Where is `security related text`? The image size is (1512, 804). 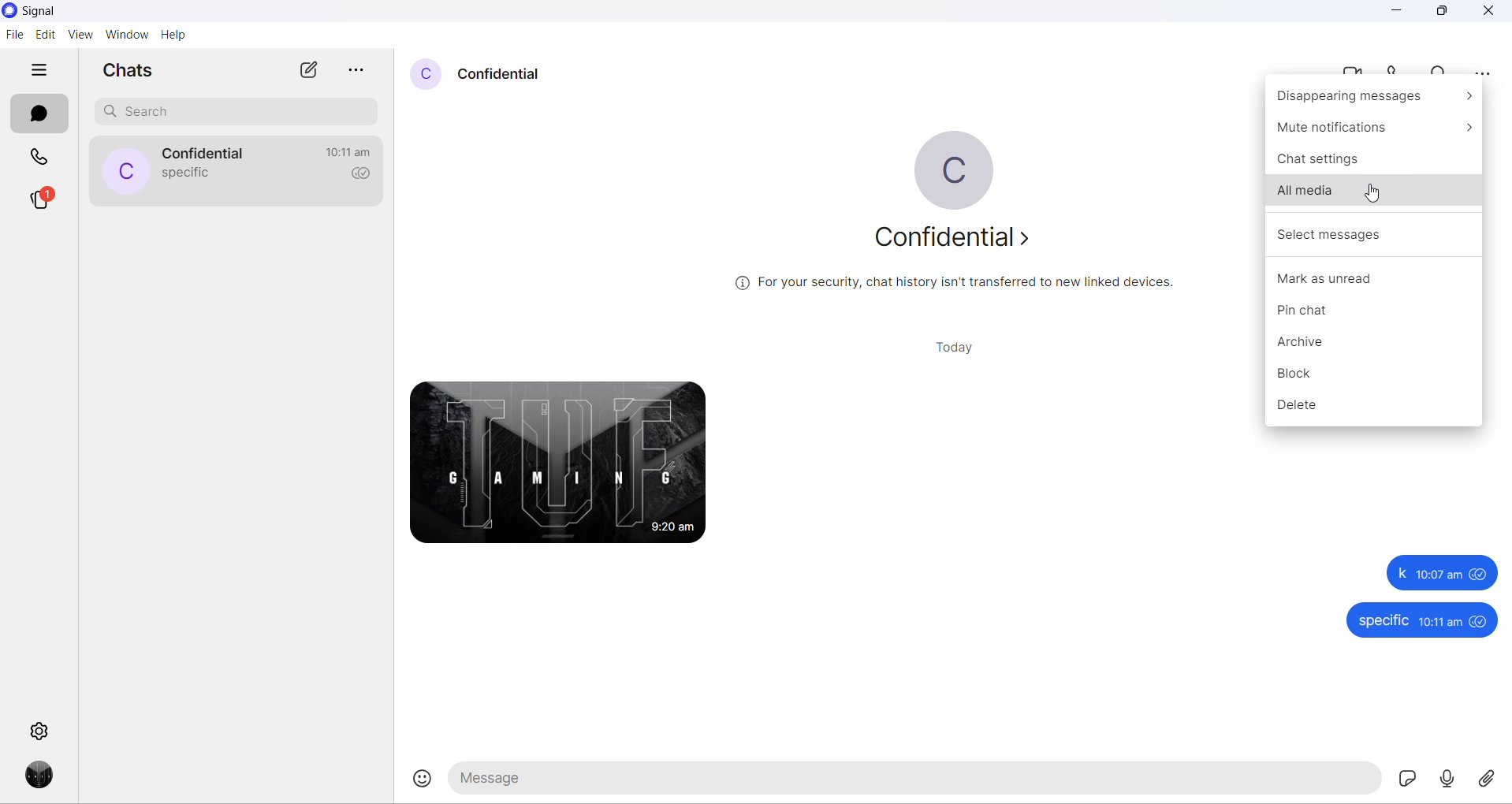 security related text is located at coordinates (955, 281).